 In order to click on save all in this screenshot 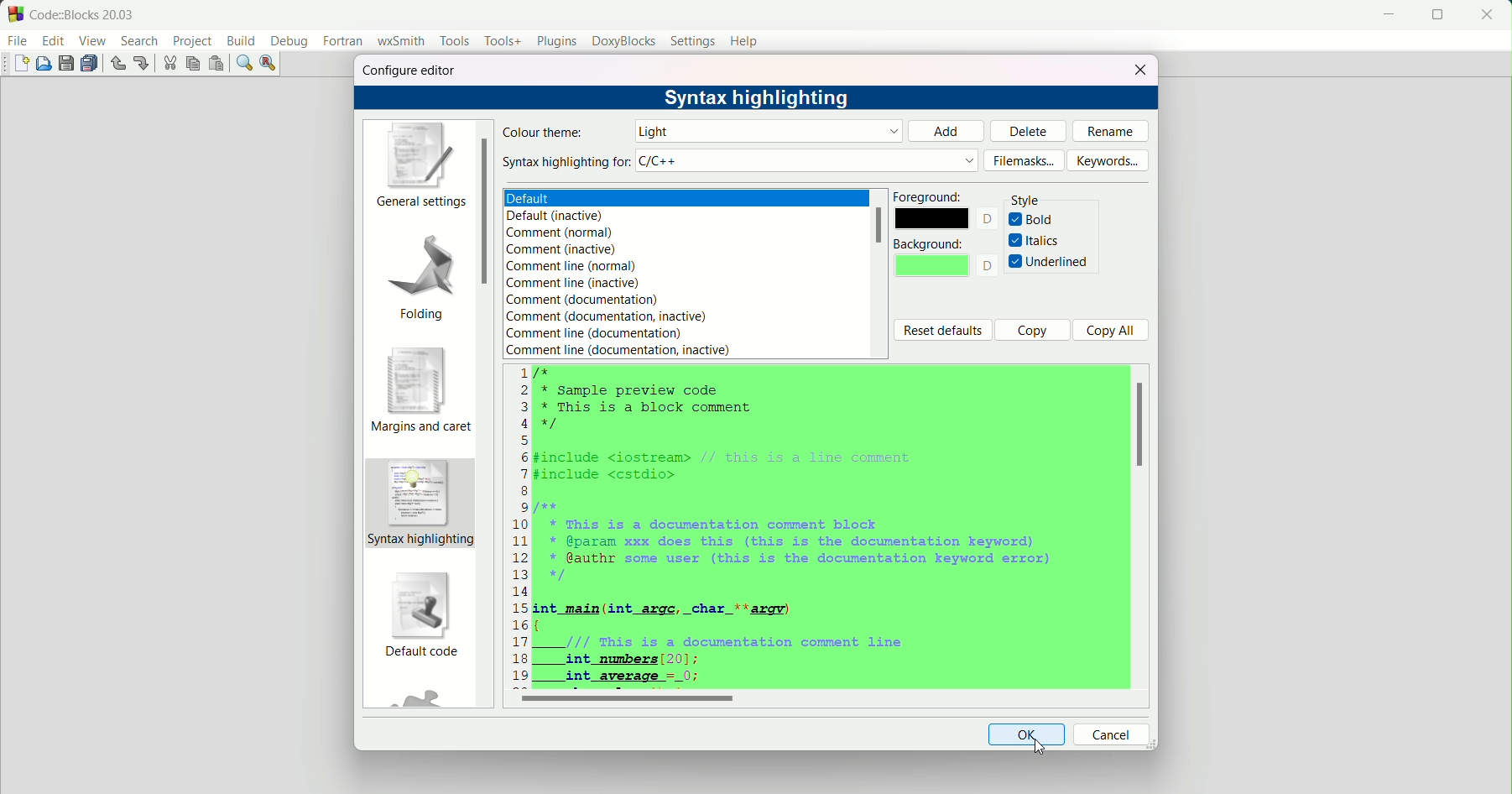, I will do `click(91, 65)`.